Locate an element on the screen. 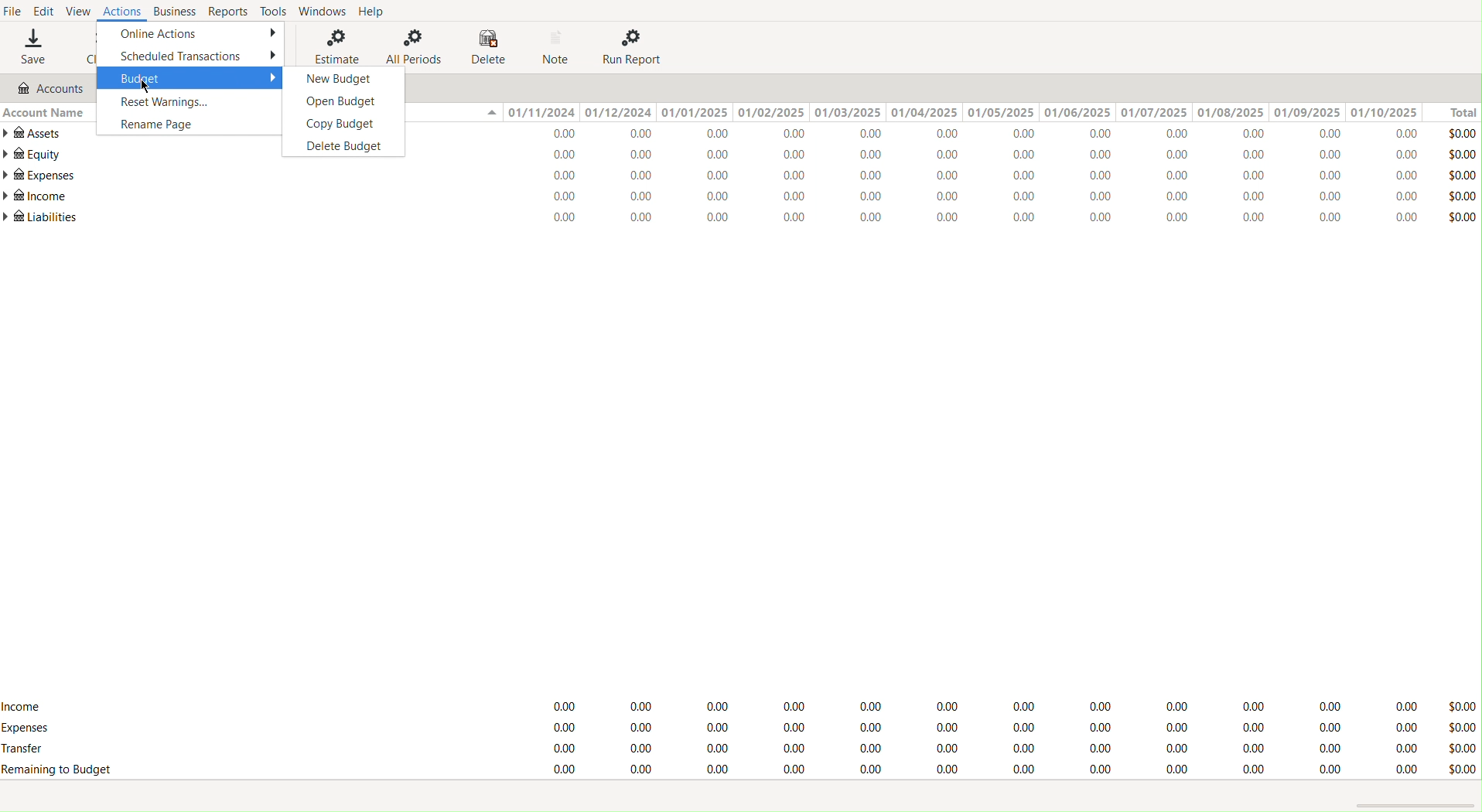 The width and height of the screenshot is (1482, 812). Reports is located at coordinates (227, 11).